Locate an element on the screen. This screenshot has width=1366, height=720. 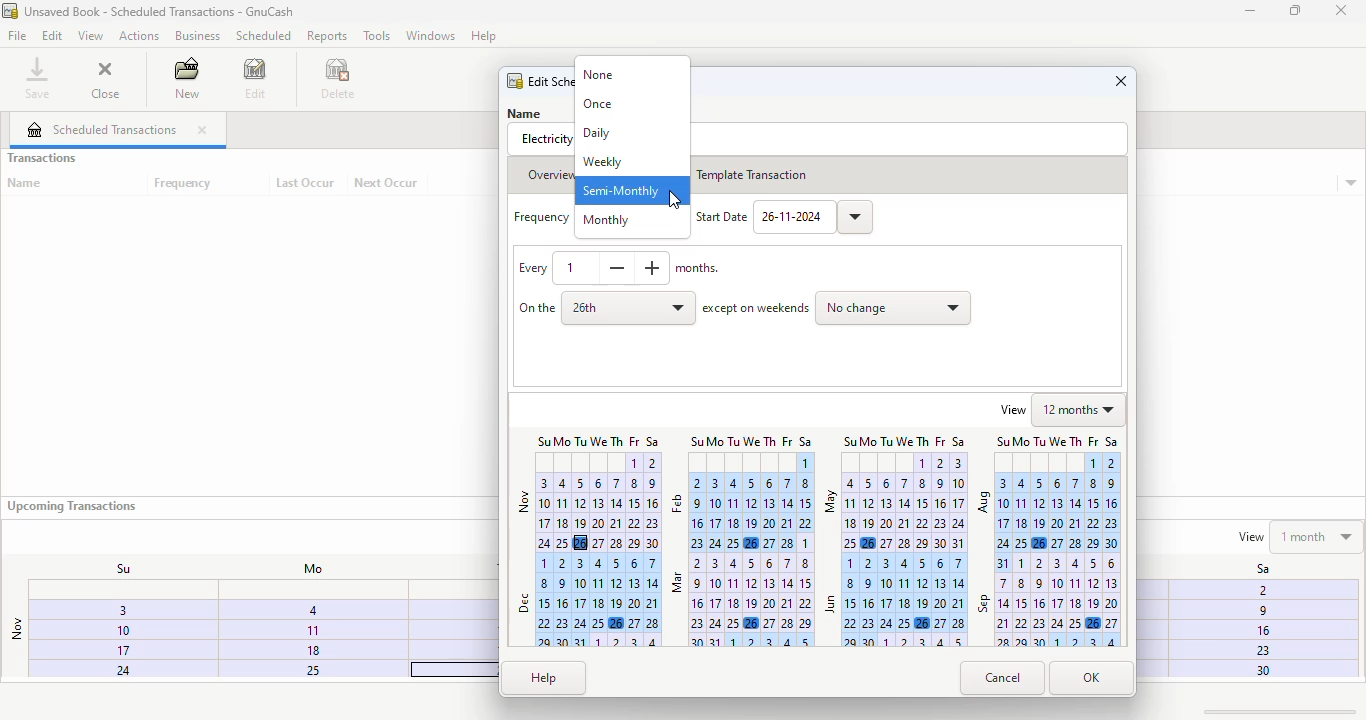
logo is located at coordinates (10, 10).